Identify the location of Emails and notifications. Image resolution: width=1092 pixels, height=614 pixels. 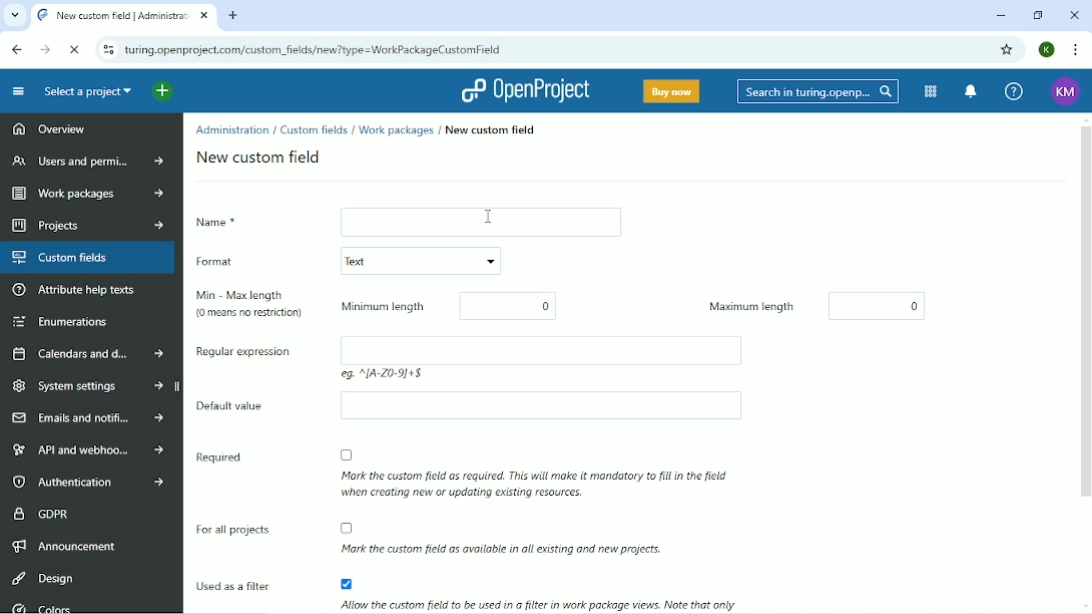
(87, 418).